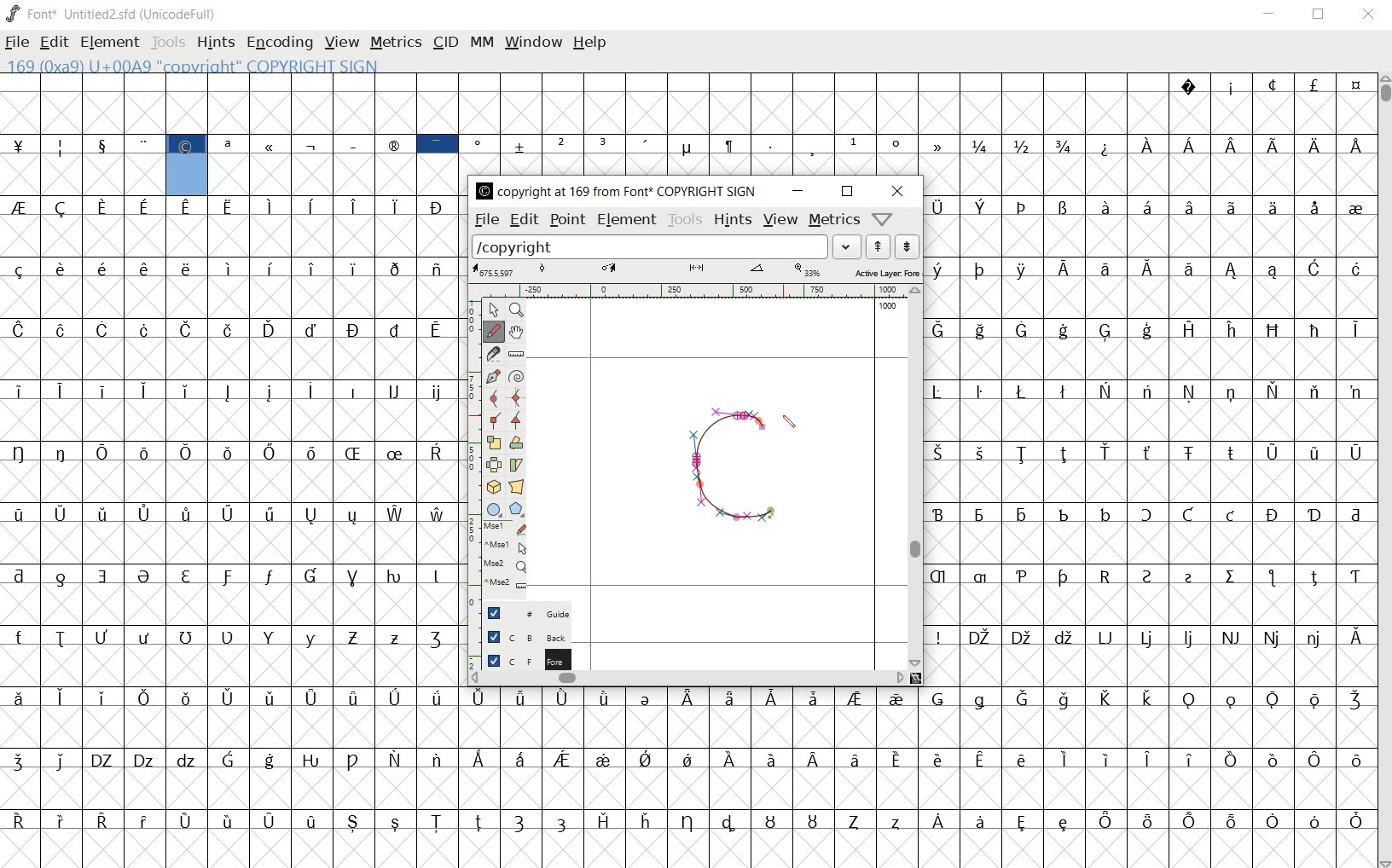 Image resolution: width=1392 pixels, height=868 pixels. Describe the element at coordinates (521, 613) in the screenshot. I see `Guide` at that location.